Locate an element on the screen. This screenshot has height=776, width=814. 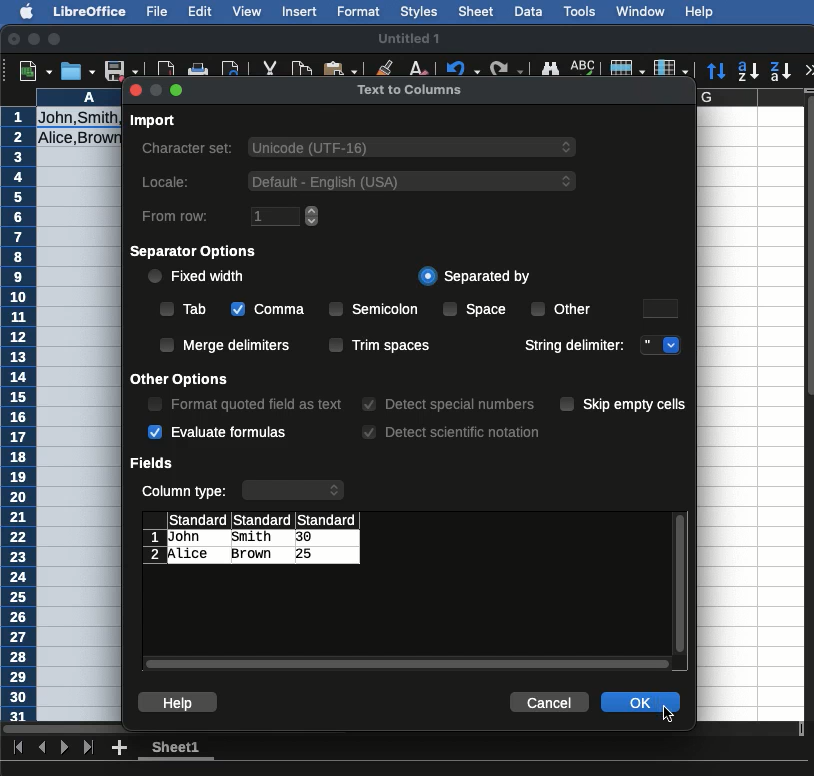
Other options is located at coordinates (183, 380).